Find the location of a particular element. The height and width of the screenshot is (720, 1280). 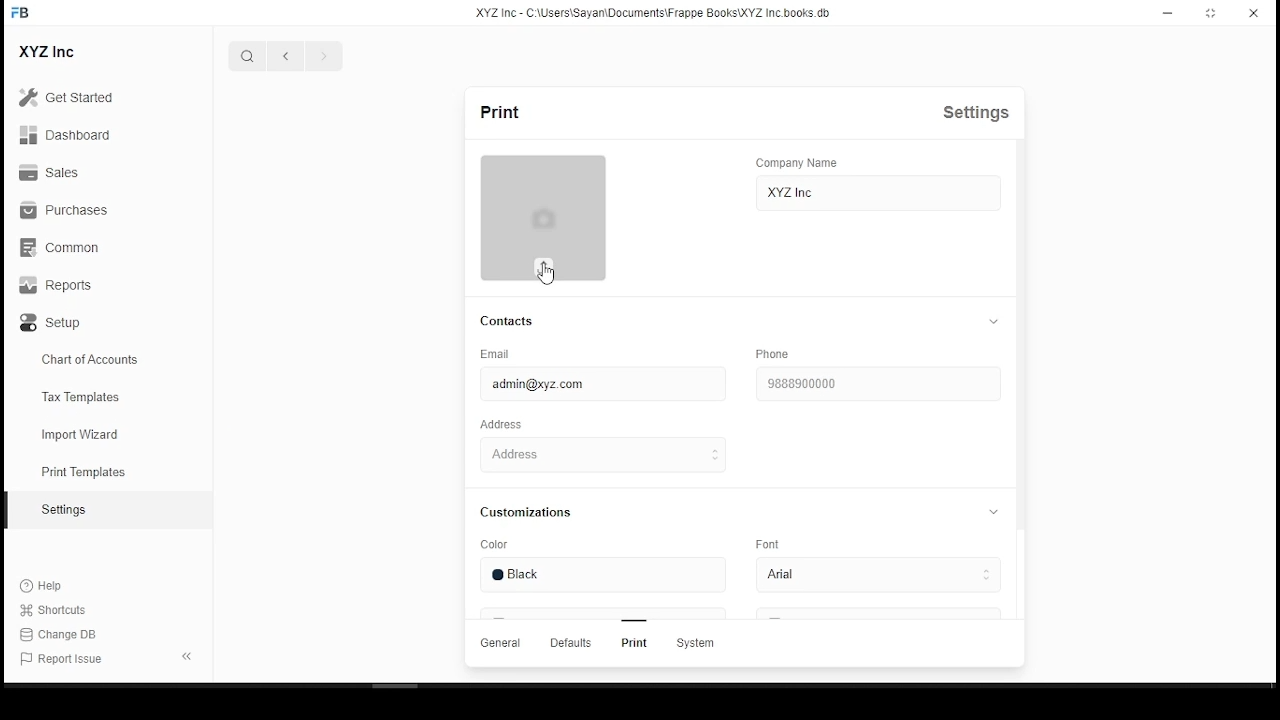

contacts is located at coordinates (512, 322).